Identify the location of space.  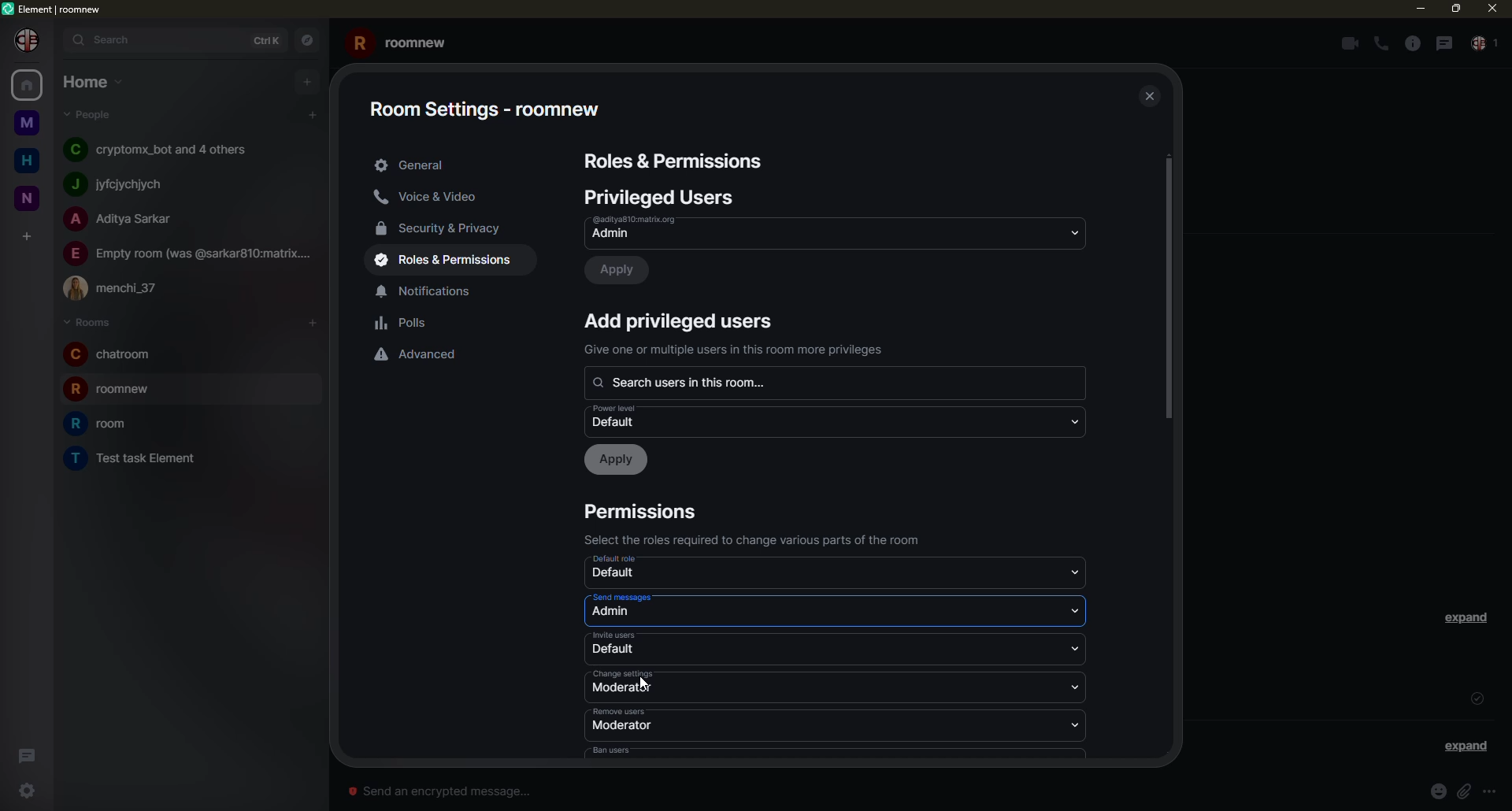
(26, 120).